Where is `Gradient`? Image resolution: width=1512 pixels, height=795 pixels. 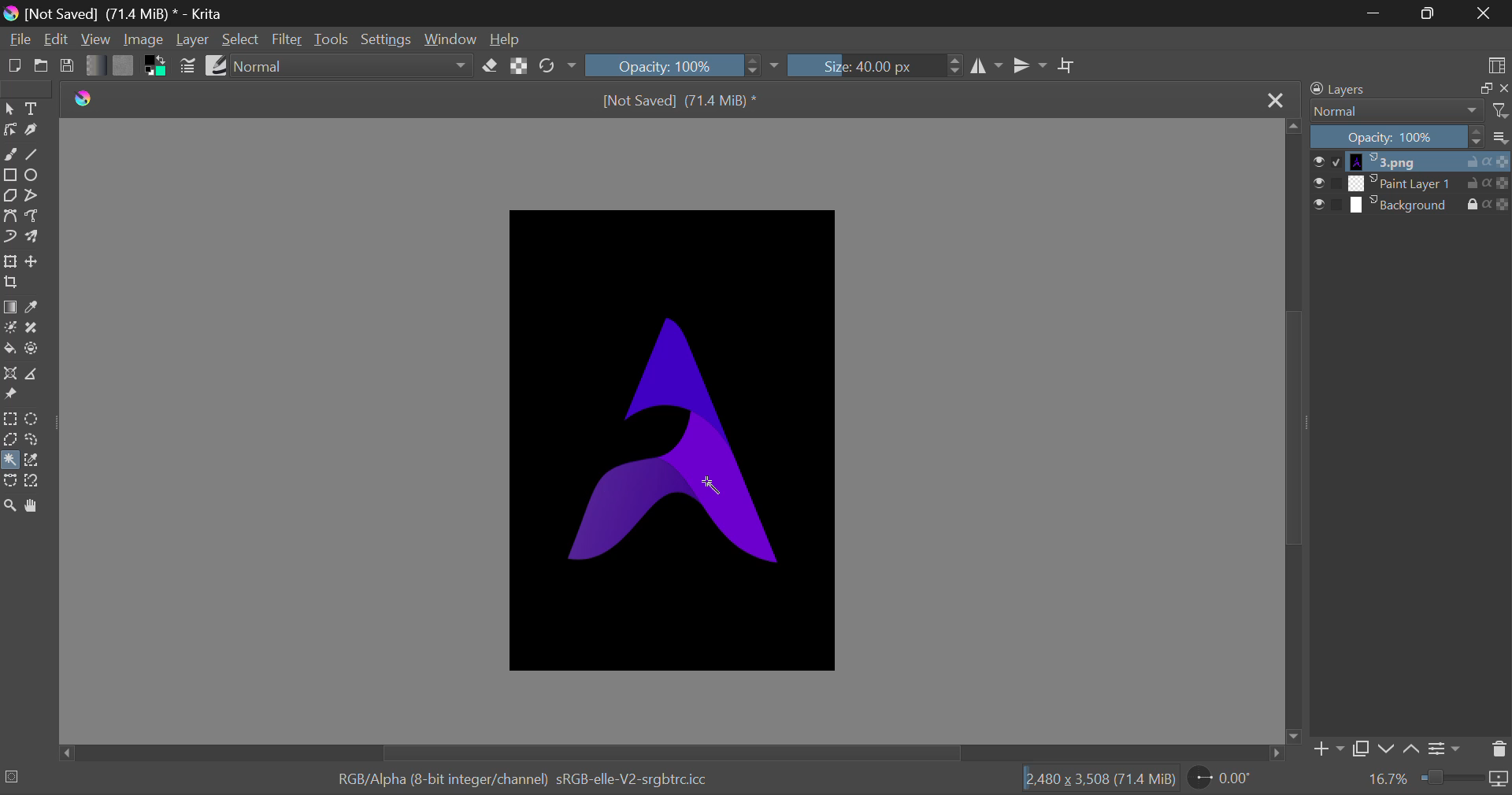 Gradient is located at coordinates (94, 66).